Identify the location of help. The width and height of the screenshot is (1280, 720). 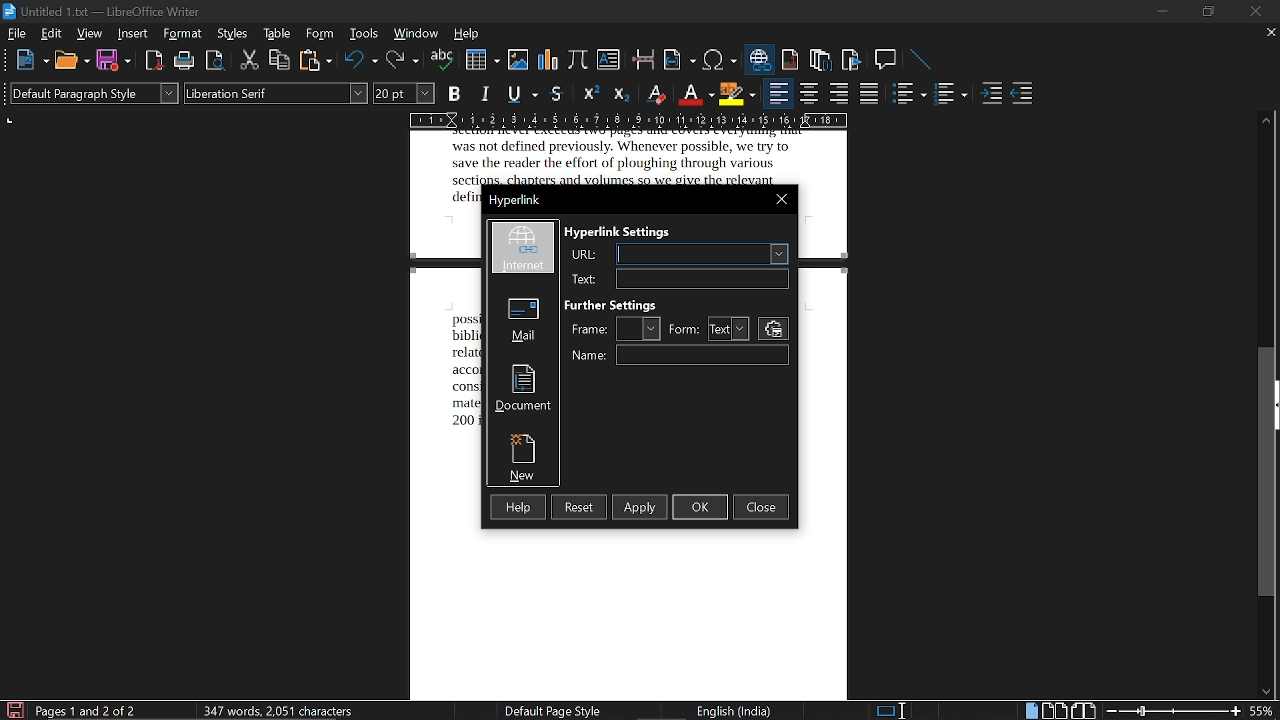
(466, 34).